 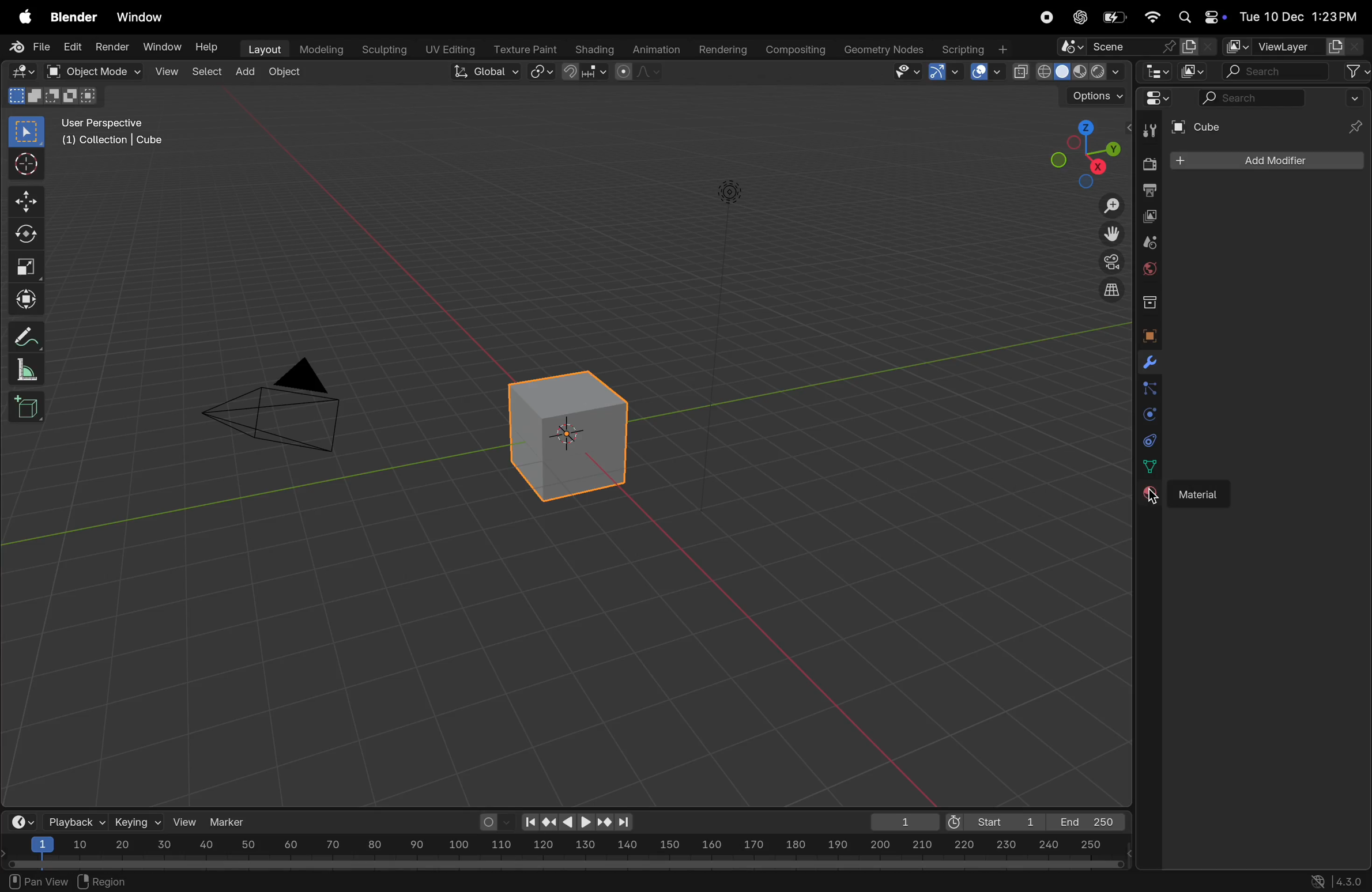 I want to click on object, so click(x=1148, y=336).